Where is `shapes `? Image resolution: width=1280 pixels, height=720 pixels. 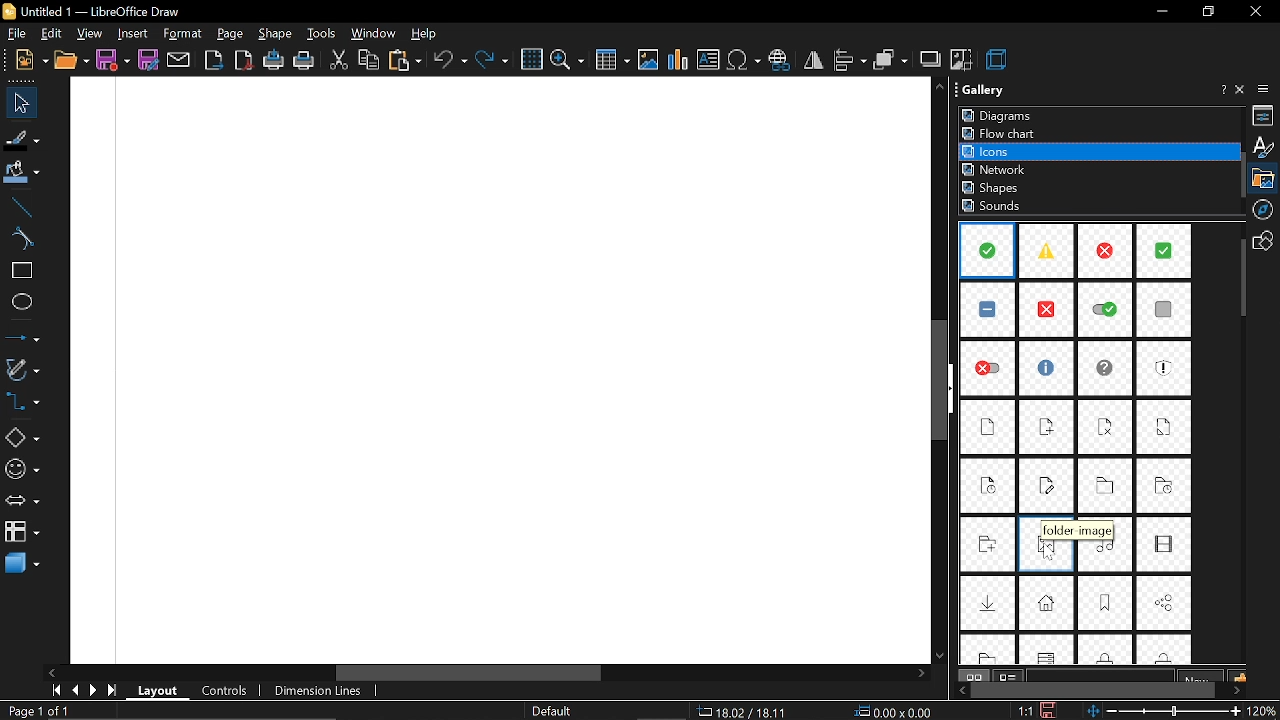
shapes  is located at coordinates (994, 188).